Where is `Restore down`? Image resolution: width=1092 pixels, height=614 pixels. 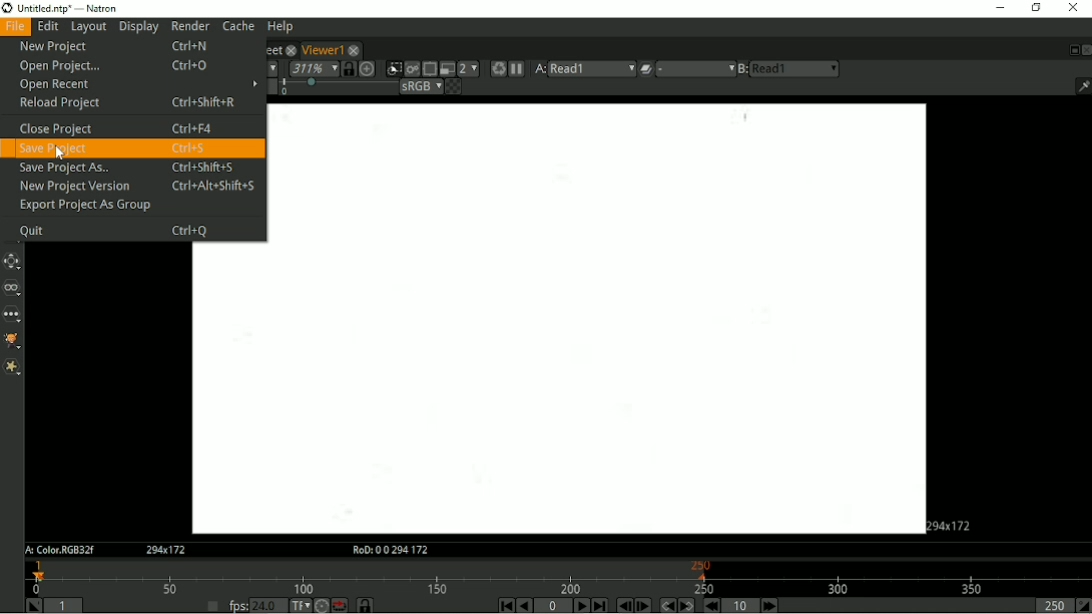
Restore down is located at coordinates (1037, 9).